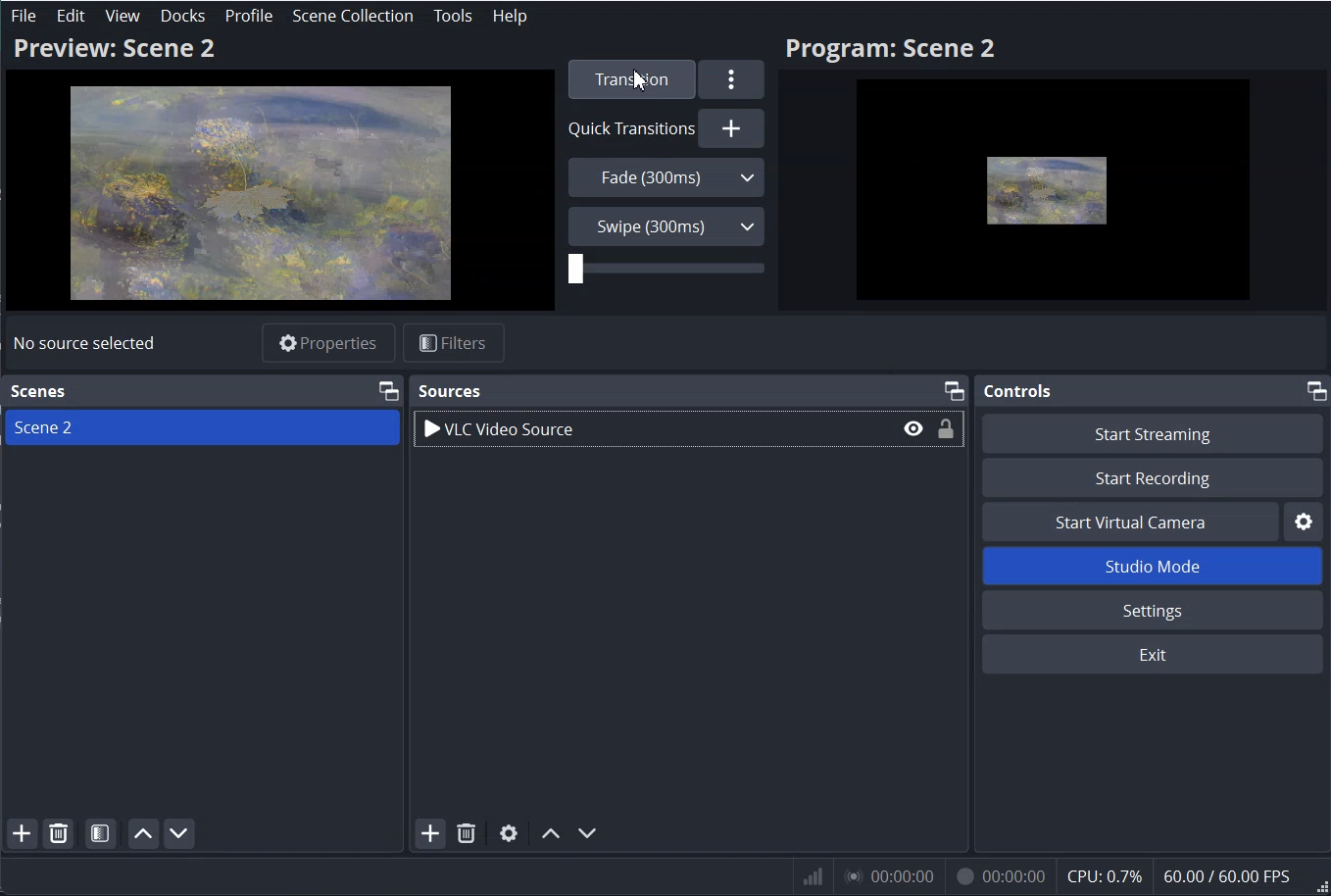 Image resolution: width=1331 pixels, height=896 pixels. What do you see at coordinates (666, 176) in the screenshot?
I see `Fade` at bounding box center [666, 176].